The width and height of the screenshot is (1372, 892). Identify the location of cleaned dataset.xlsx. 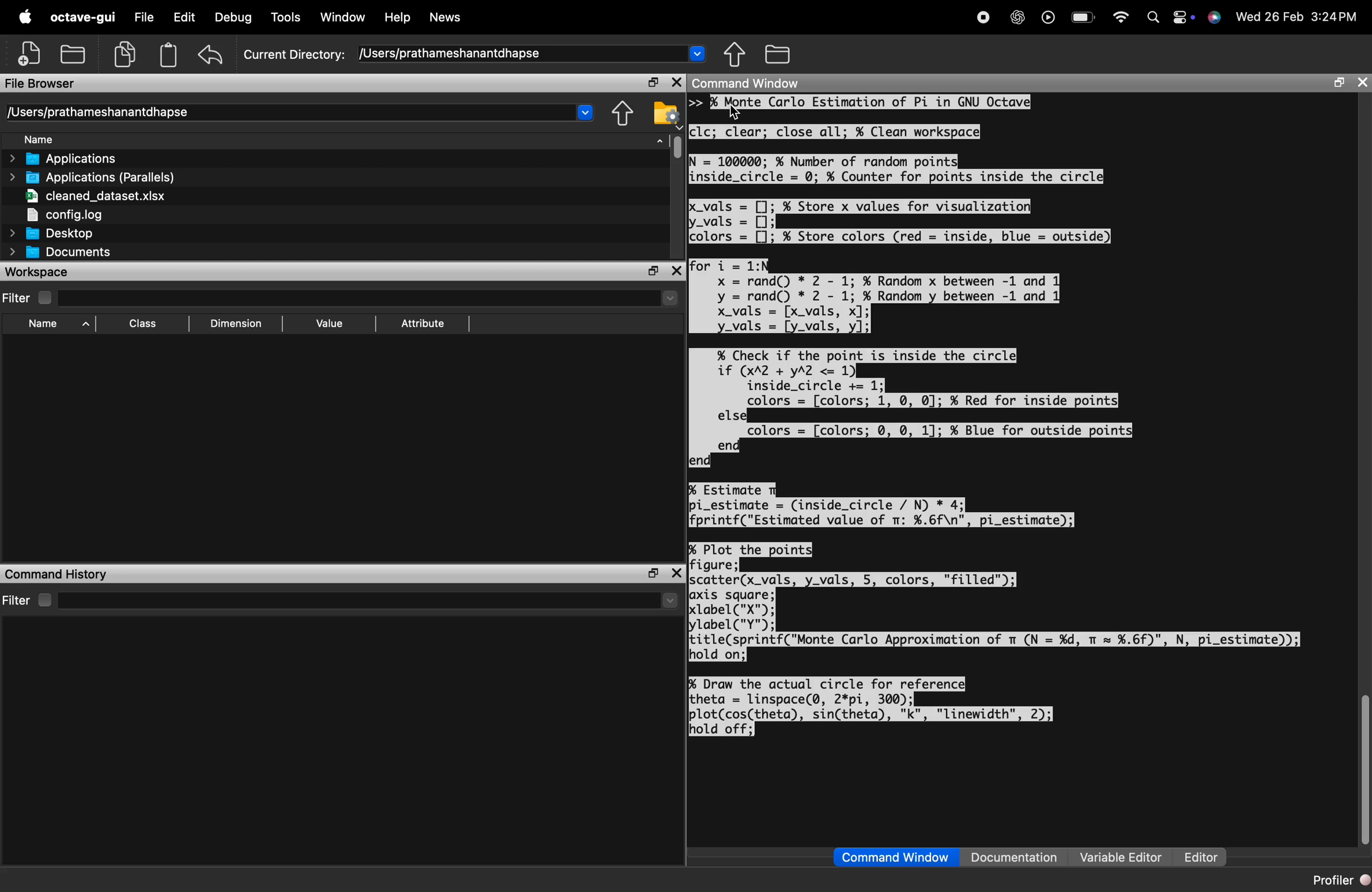
(92, 195).